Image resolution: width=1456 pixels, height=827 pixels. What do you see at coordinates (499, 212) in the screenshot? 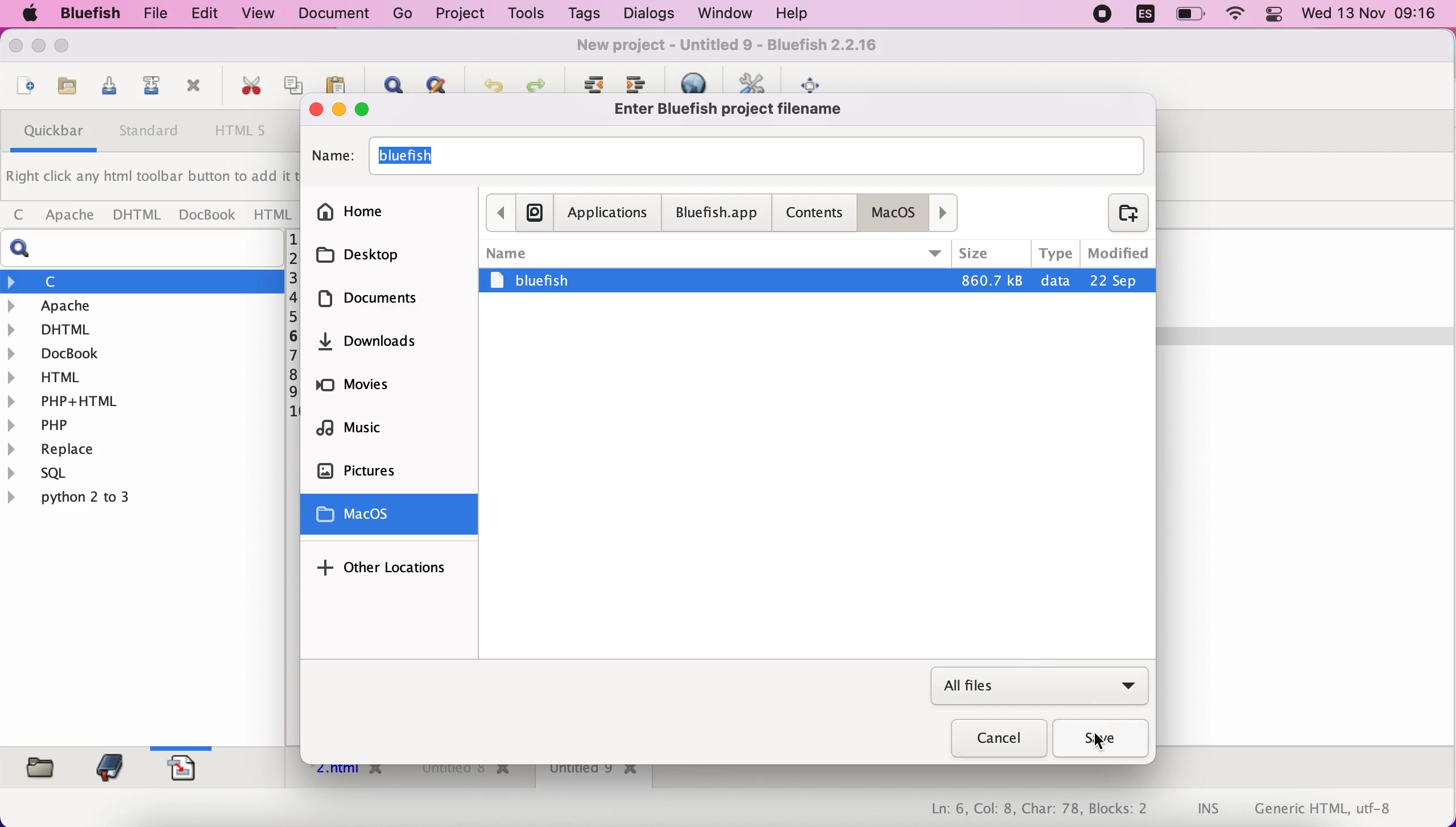
I see `backwards` at bounding box center [499, 212].